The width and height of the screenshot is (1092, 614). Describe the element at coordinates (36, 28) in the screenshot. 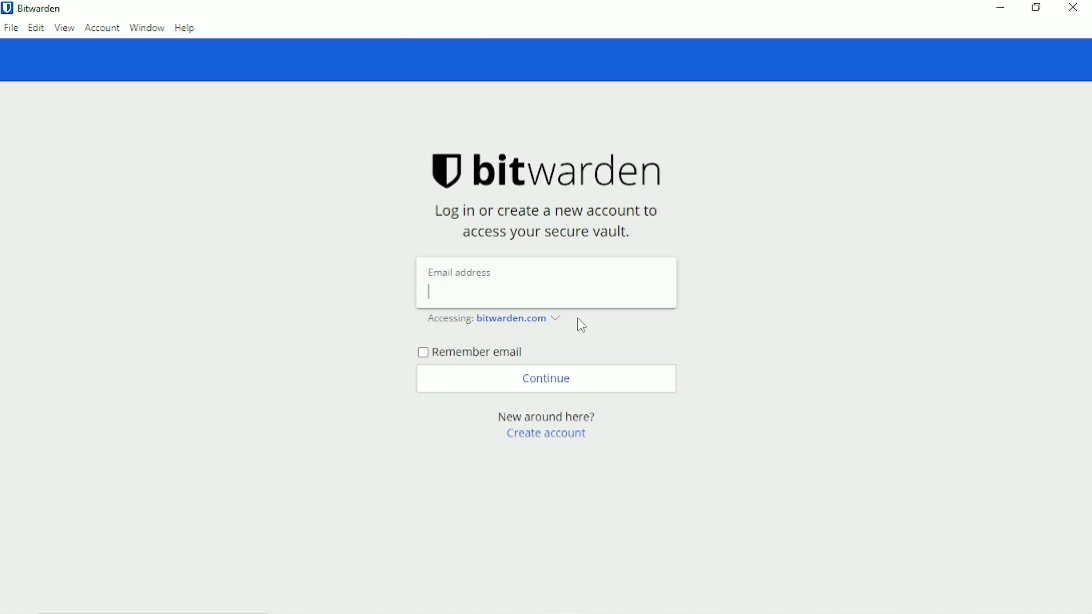

I see `Edit` at that location.